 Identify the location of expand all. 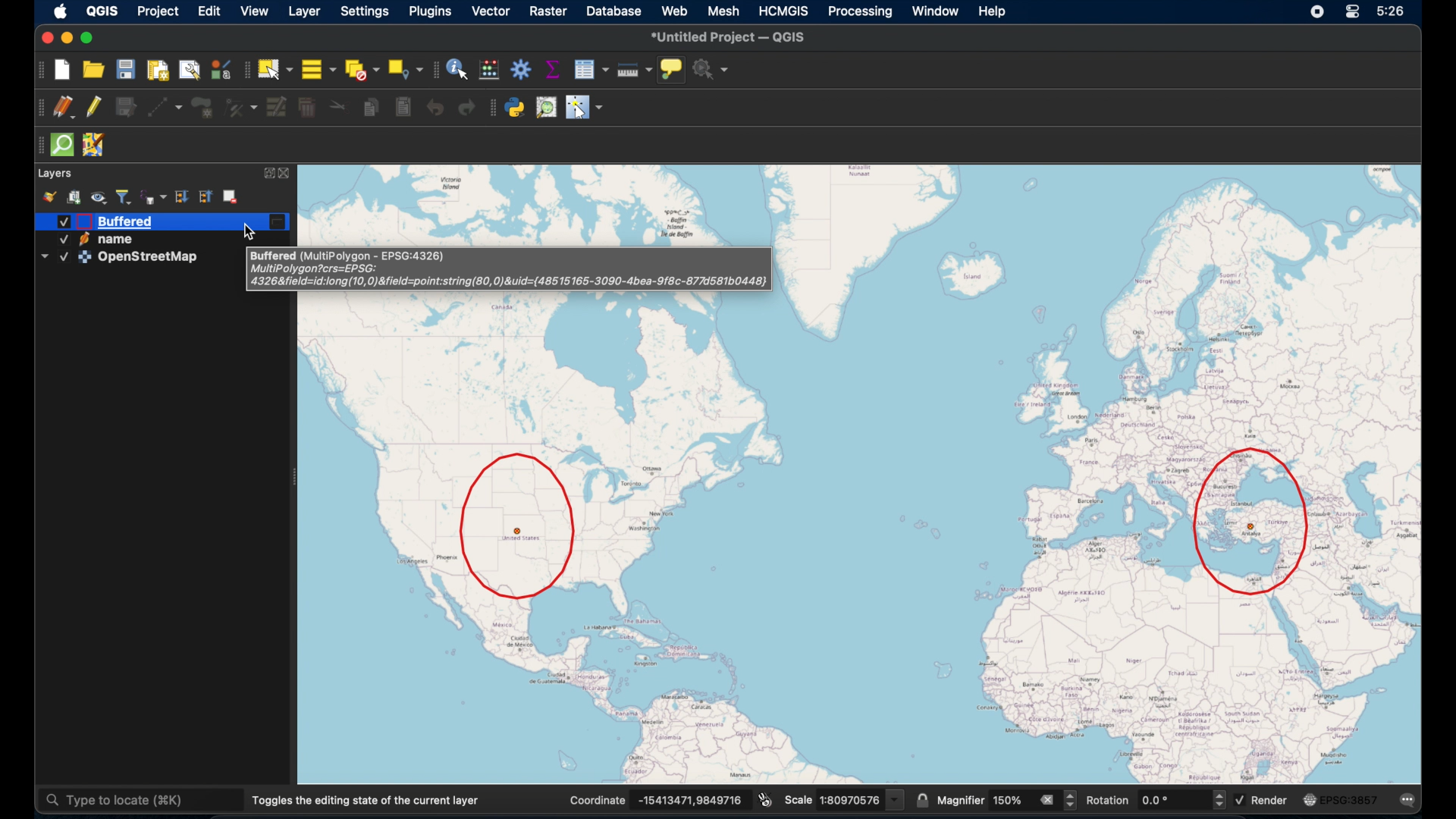
(180, 197).